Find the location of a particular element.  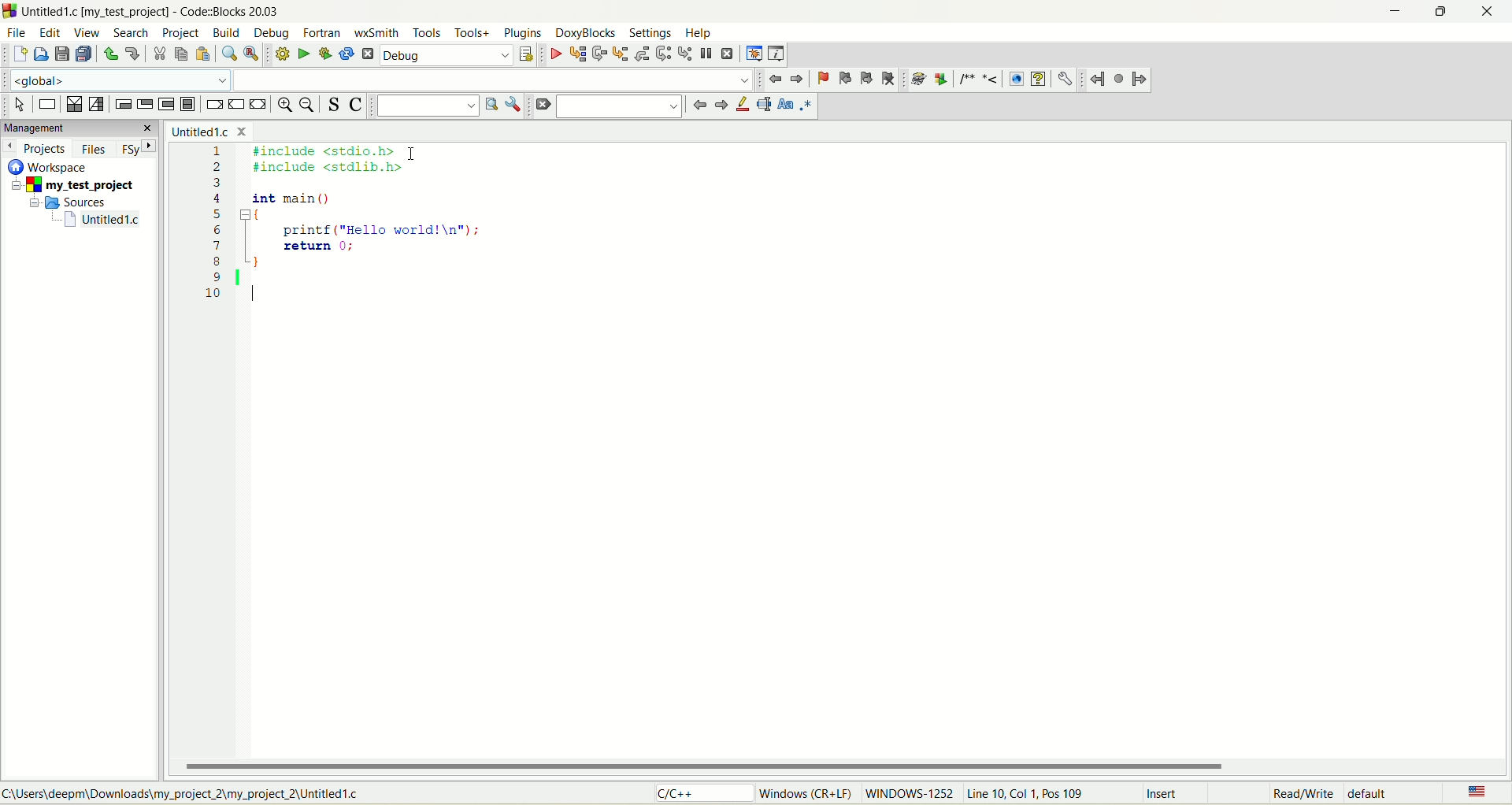

debugging is located at coordinates (754, 54).